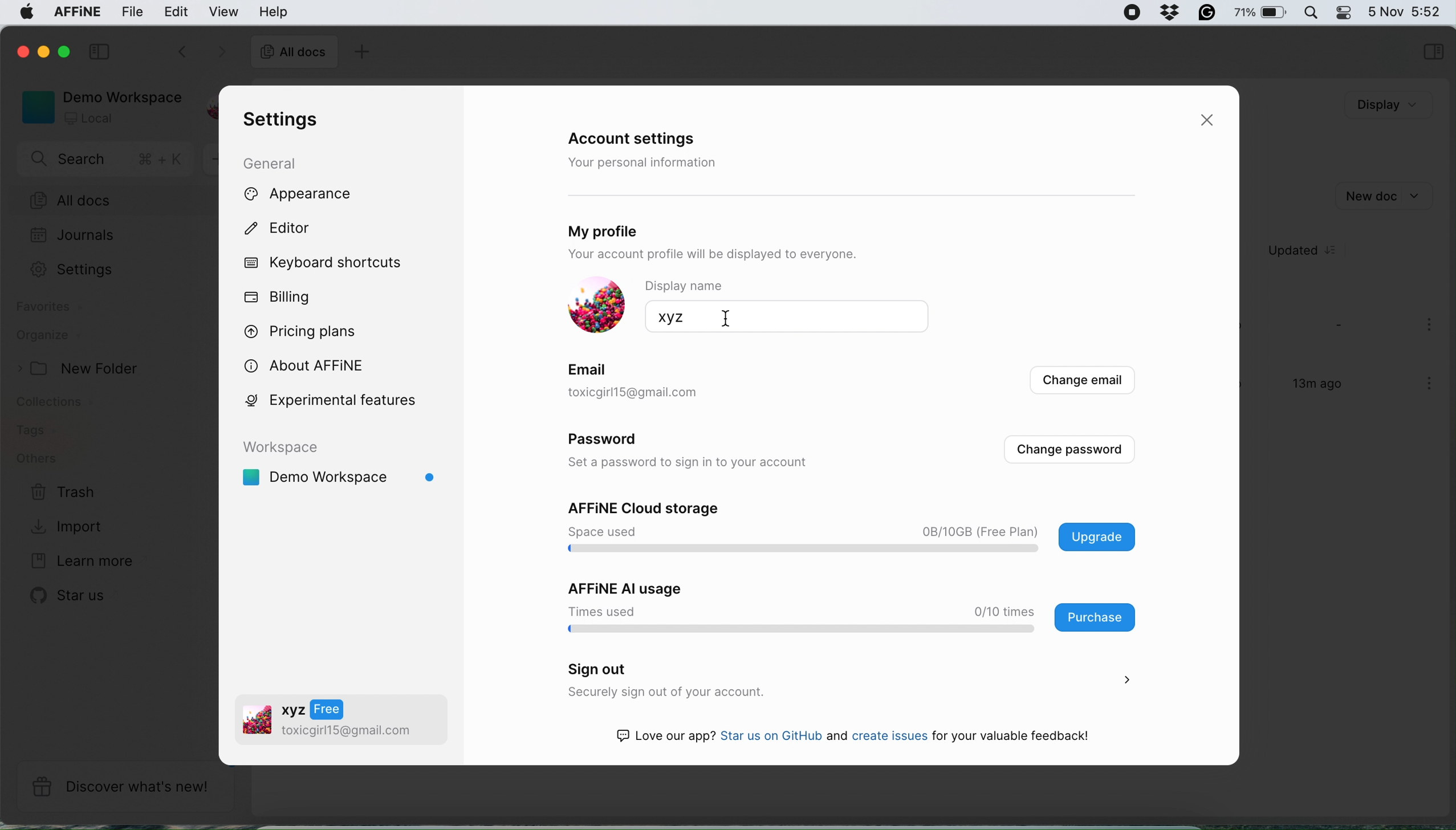  Describe the element at coordinates (1431, 385) in the screenshot. I see `more options` at that location.